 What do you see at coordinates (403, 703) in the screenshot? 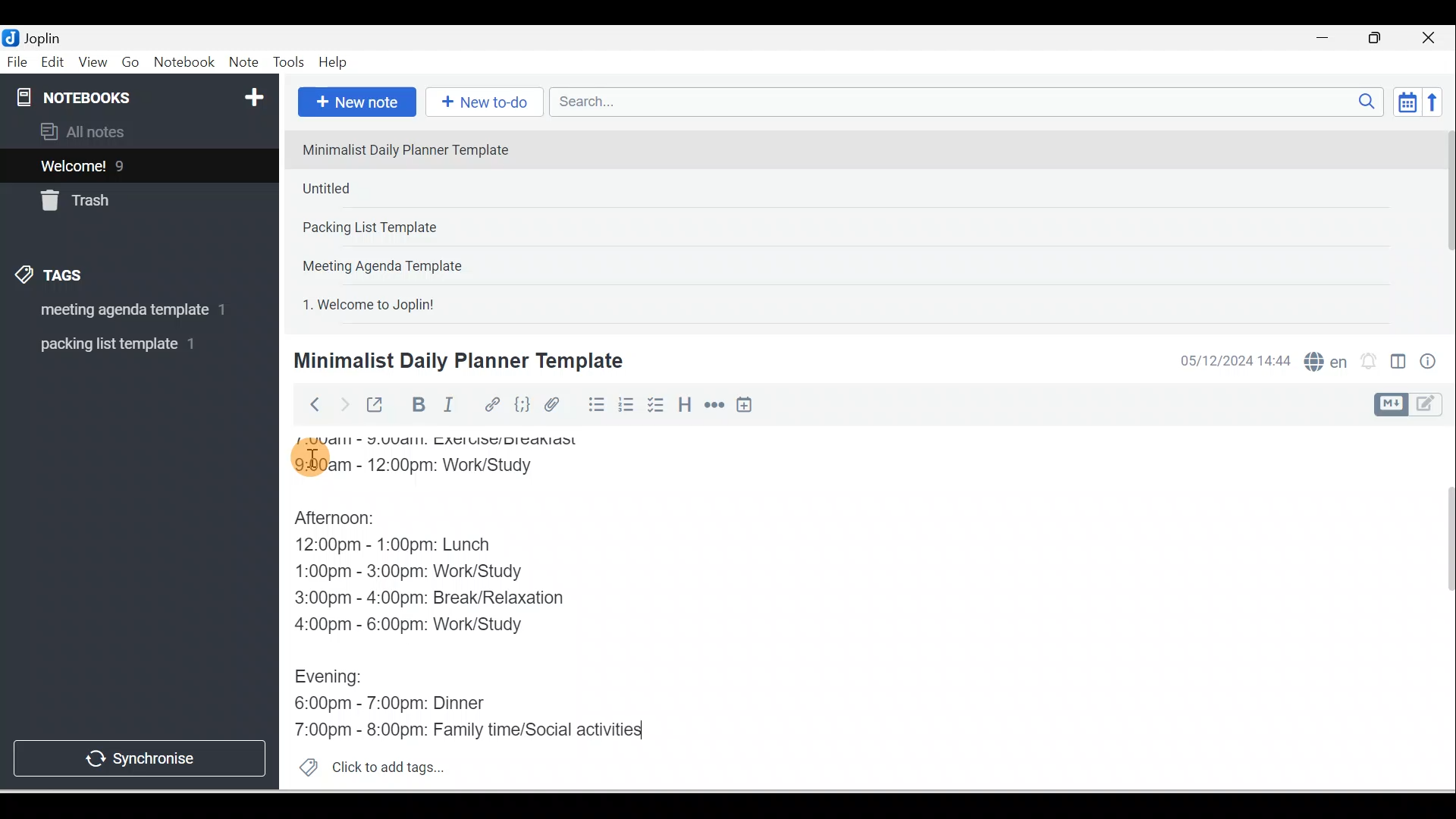
I see `6:00pm - 7:00pm: Dinner` at bounding box center [403, 703].